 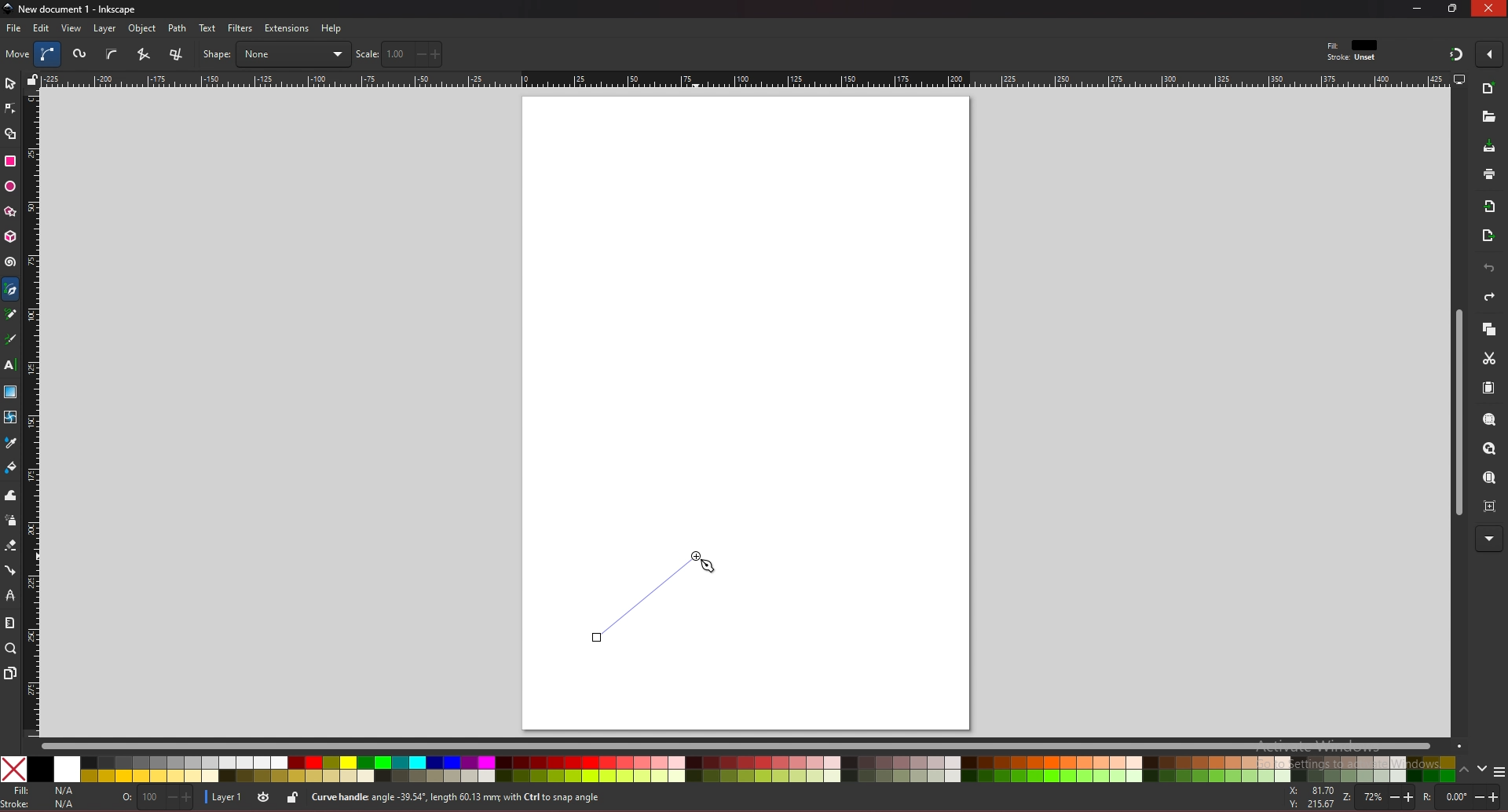 I want to click on horizontal rule, so click(x=745, y=79).